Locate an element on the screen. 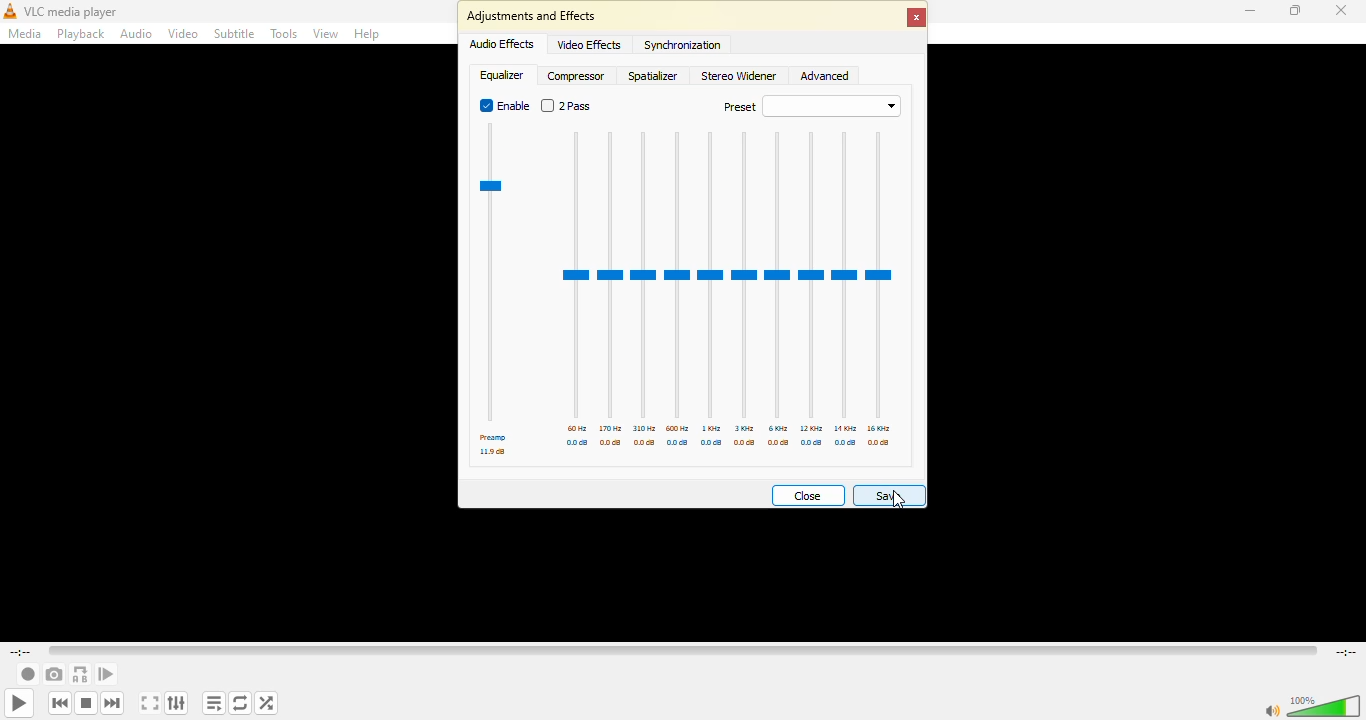 Image resolution: width=1366 pixels, height=720 pixels. minimize is located at coordinates (1248, 11).